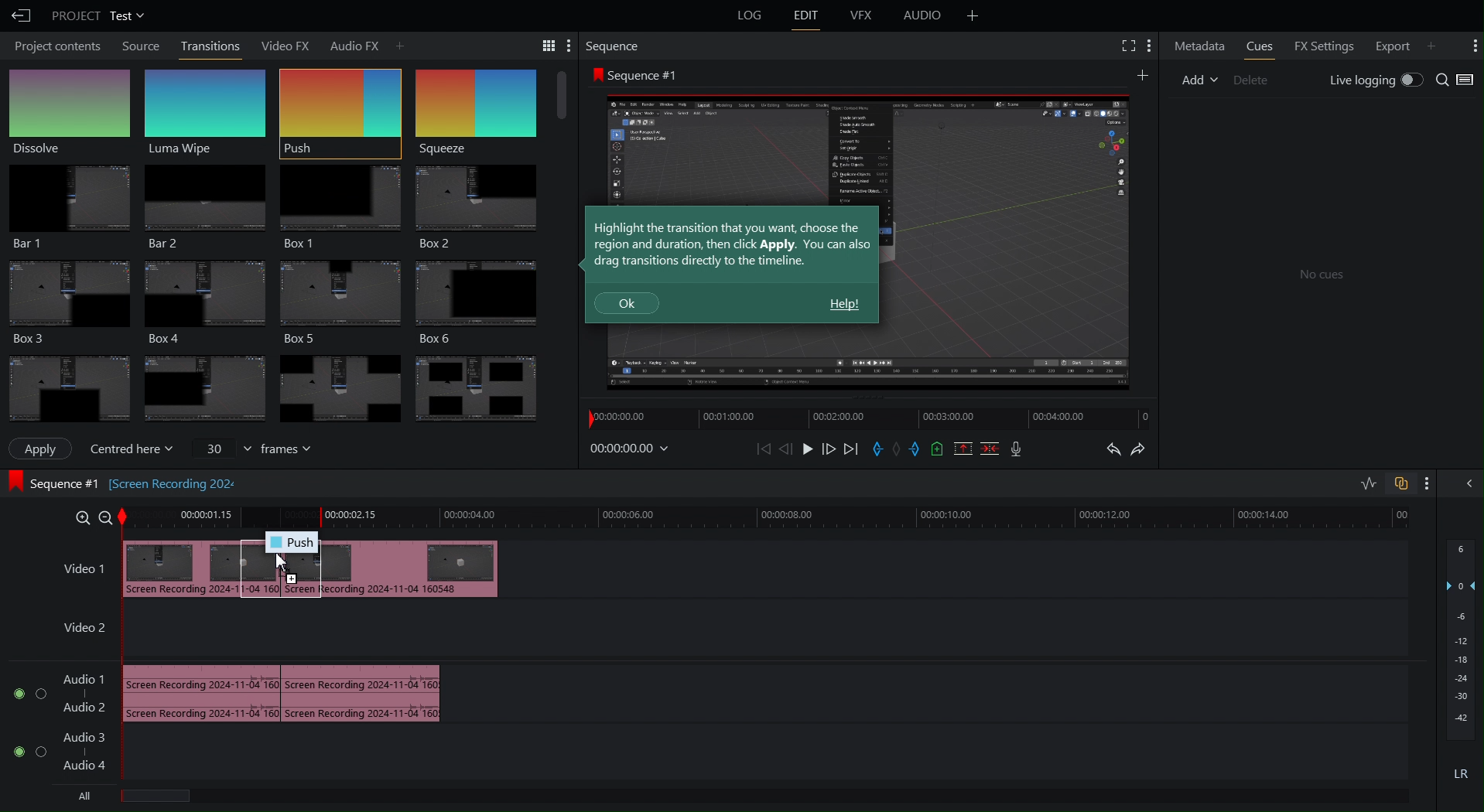 This screenshot has height=812, width=1484. Describe the element at coordinates (1150, 449) in the screenshot. I see `Redo` at that location.